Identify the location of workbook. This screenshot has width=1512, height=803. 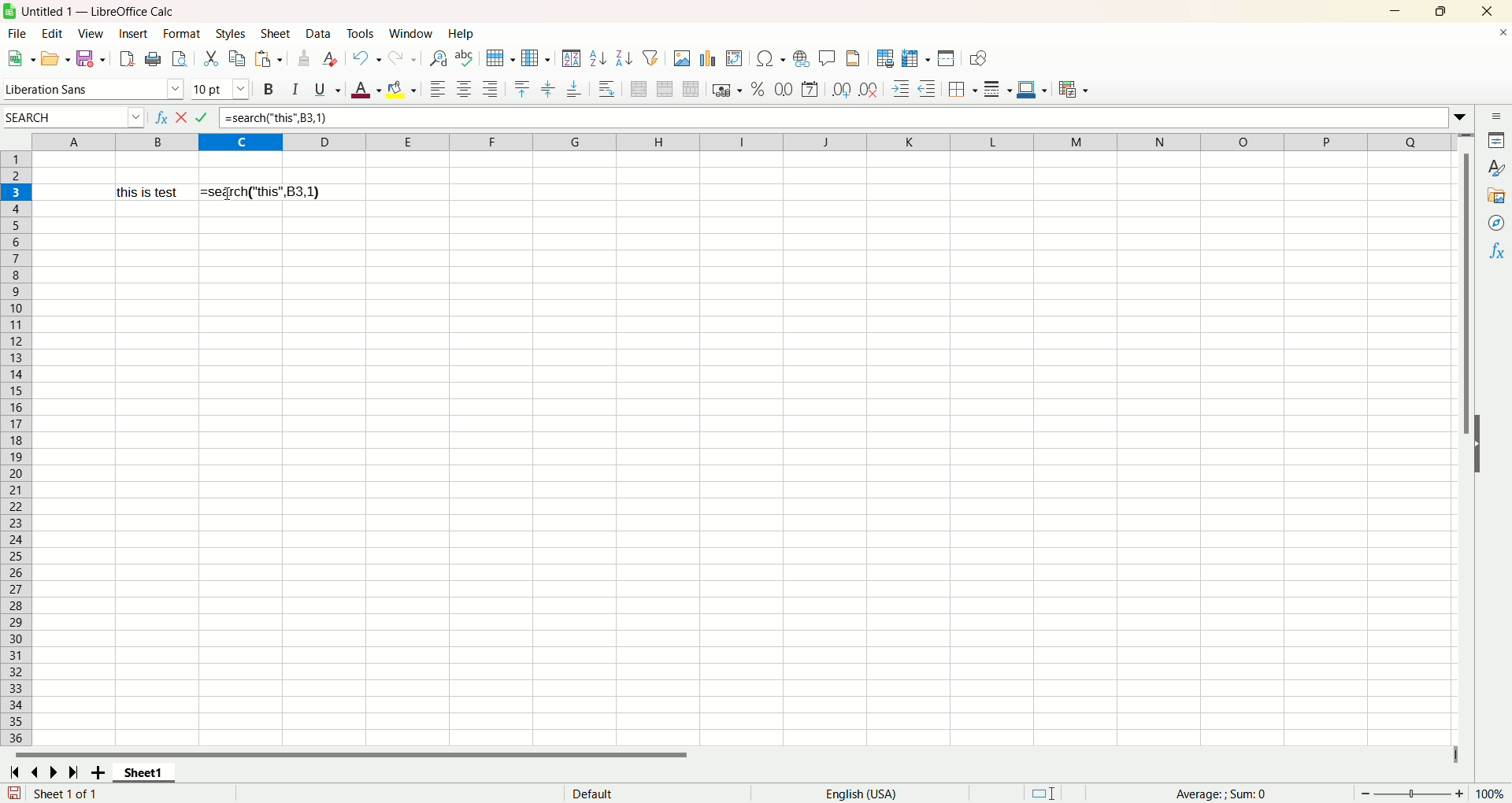
(742, 480).